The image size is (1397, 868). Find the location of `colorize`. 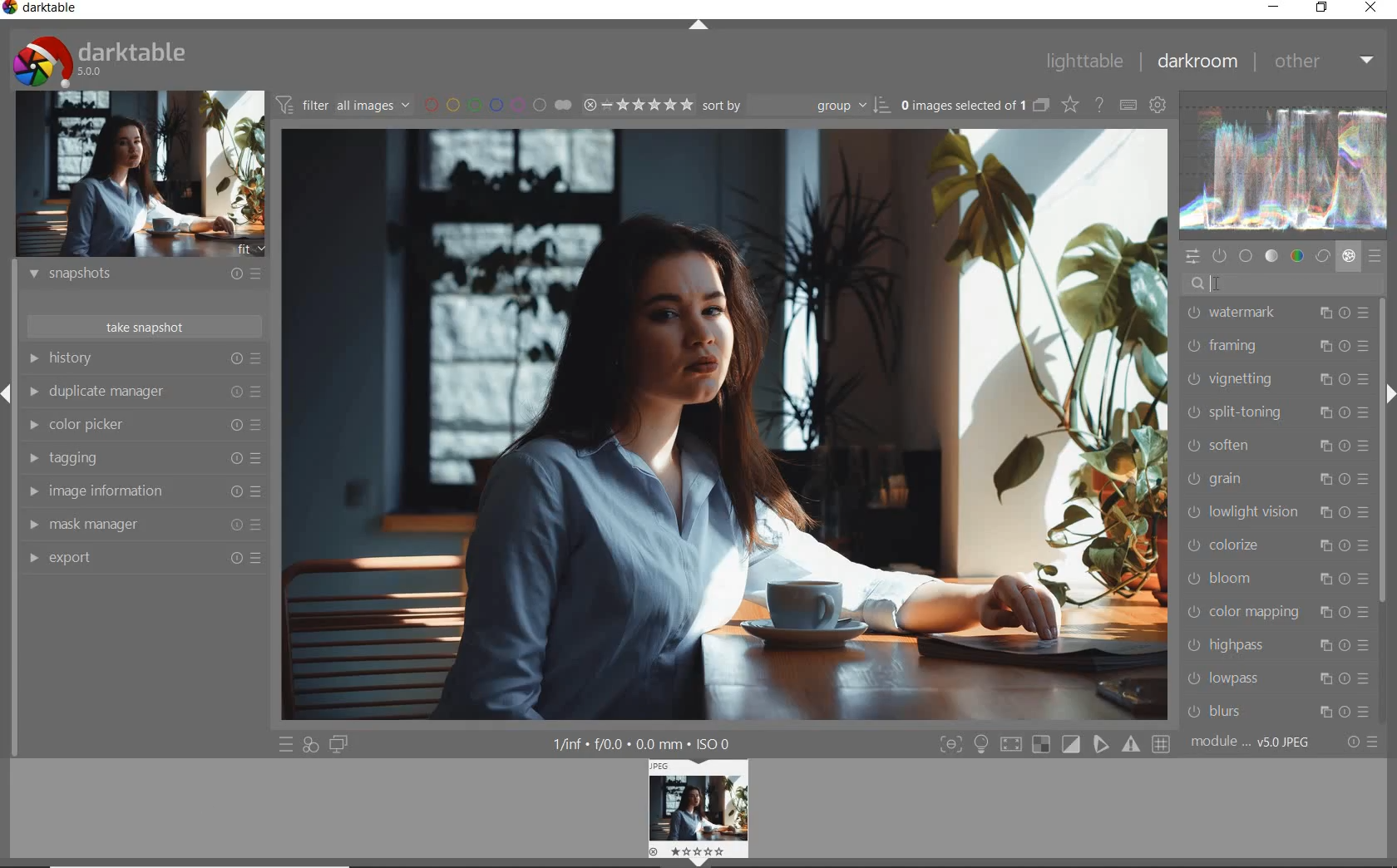

colorize is located at coordinates (1277, 545).